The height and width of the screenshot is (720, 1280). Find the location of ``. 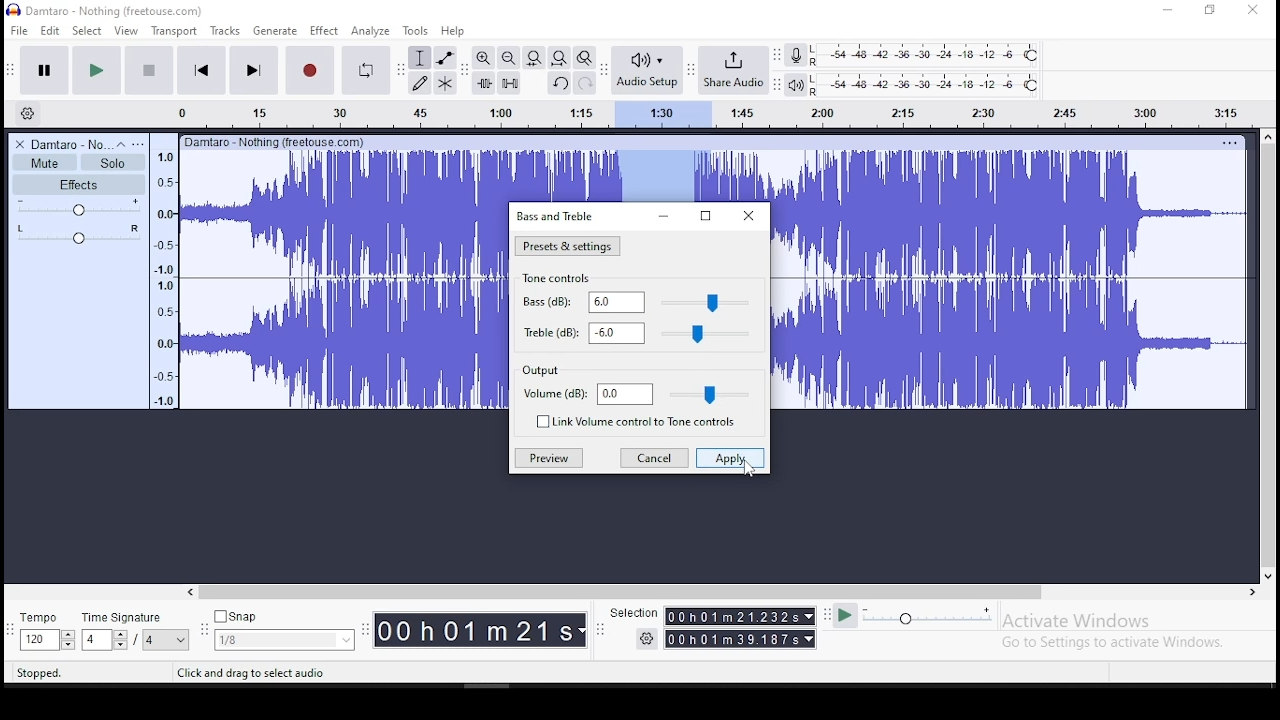

 is located at coordinates (776, 83).